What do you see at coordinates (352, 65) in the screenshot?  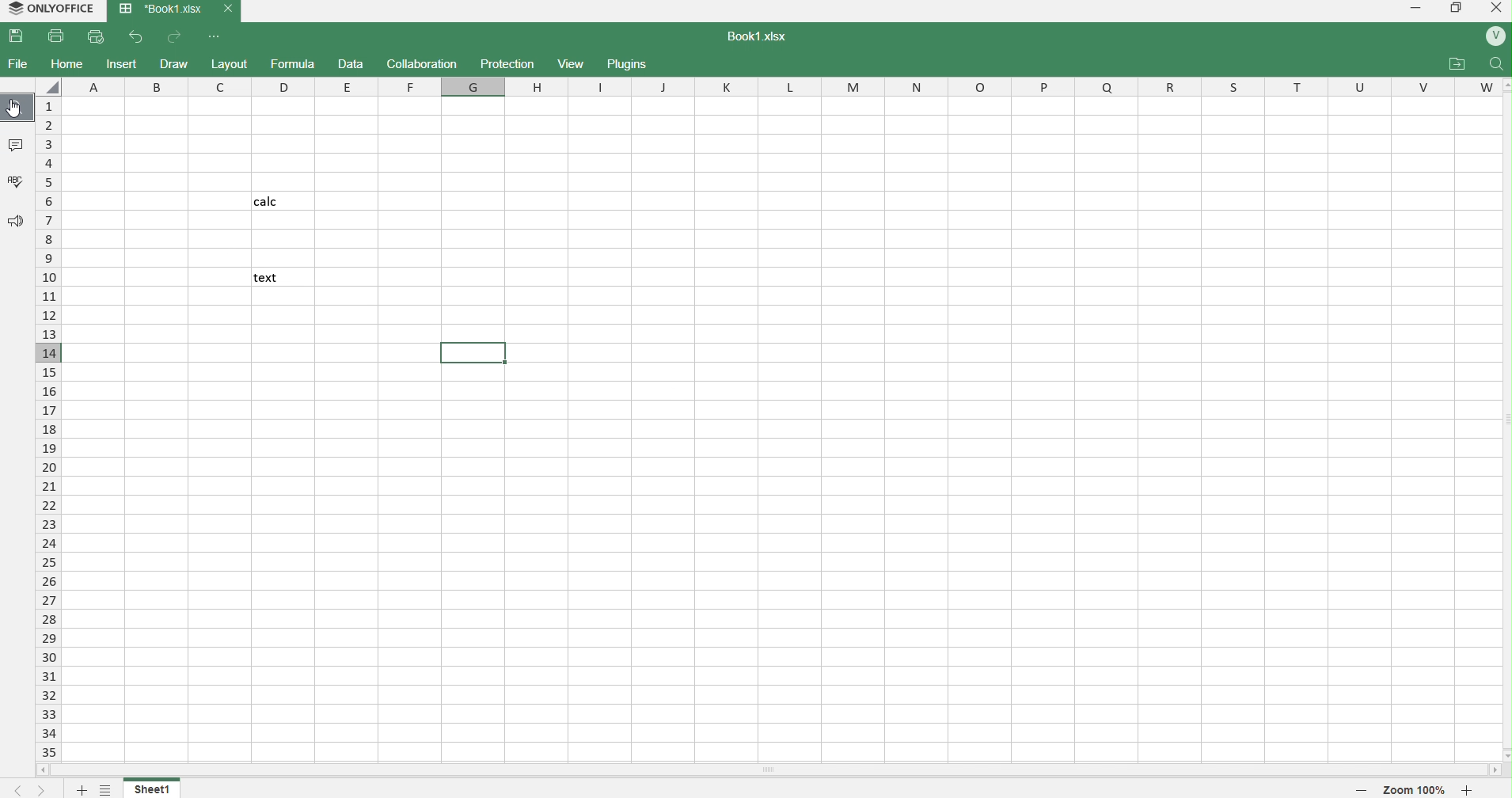 I see `data` at bounding box center [352, 65].